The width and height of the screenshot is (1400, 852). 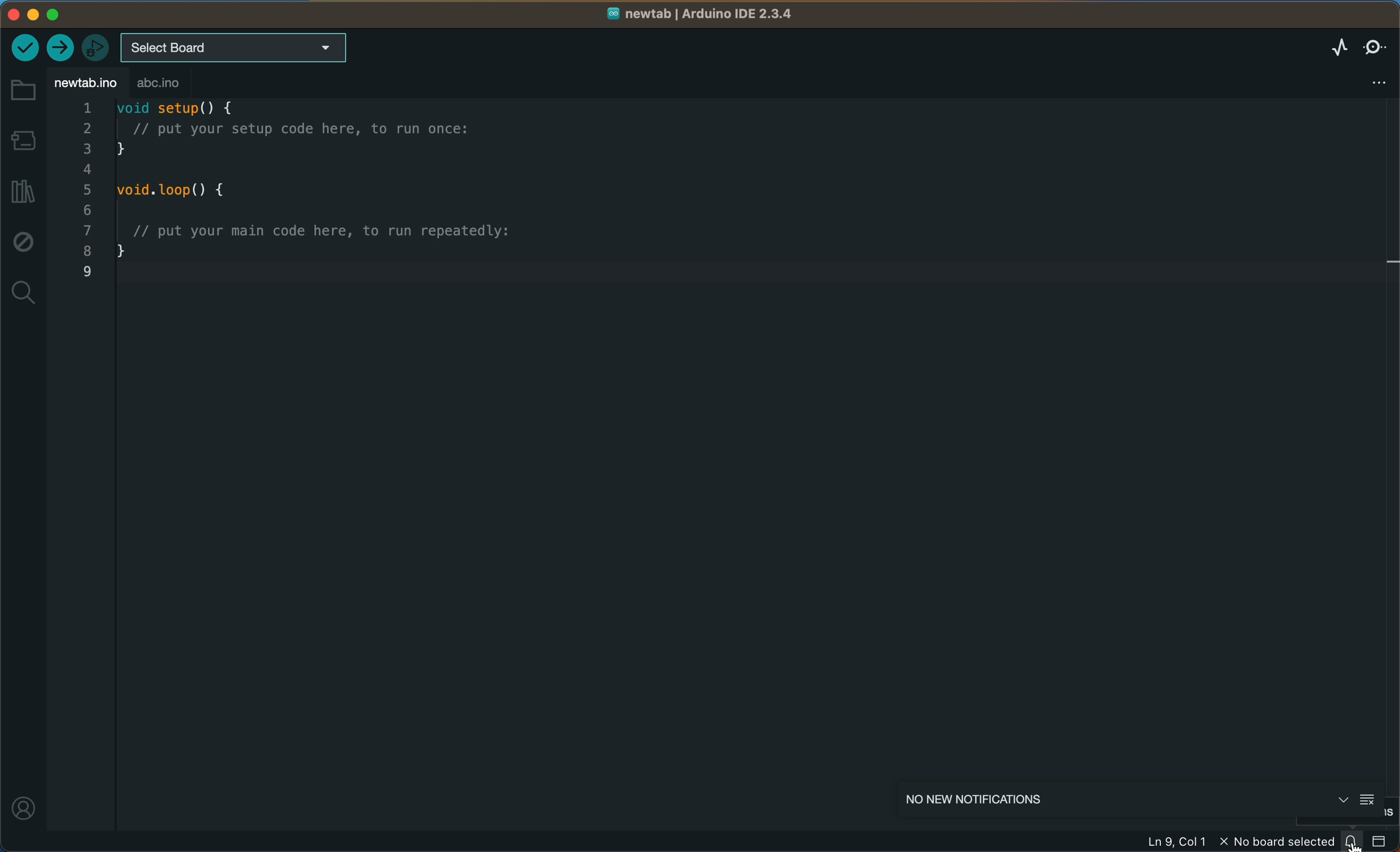 What do you see at coordinates (97, 45) in the screenshot?
I see `debugger` at bounding box center [97, 45].